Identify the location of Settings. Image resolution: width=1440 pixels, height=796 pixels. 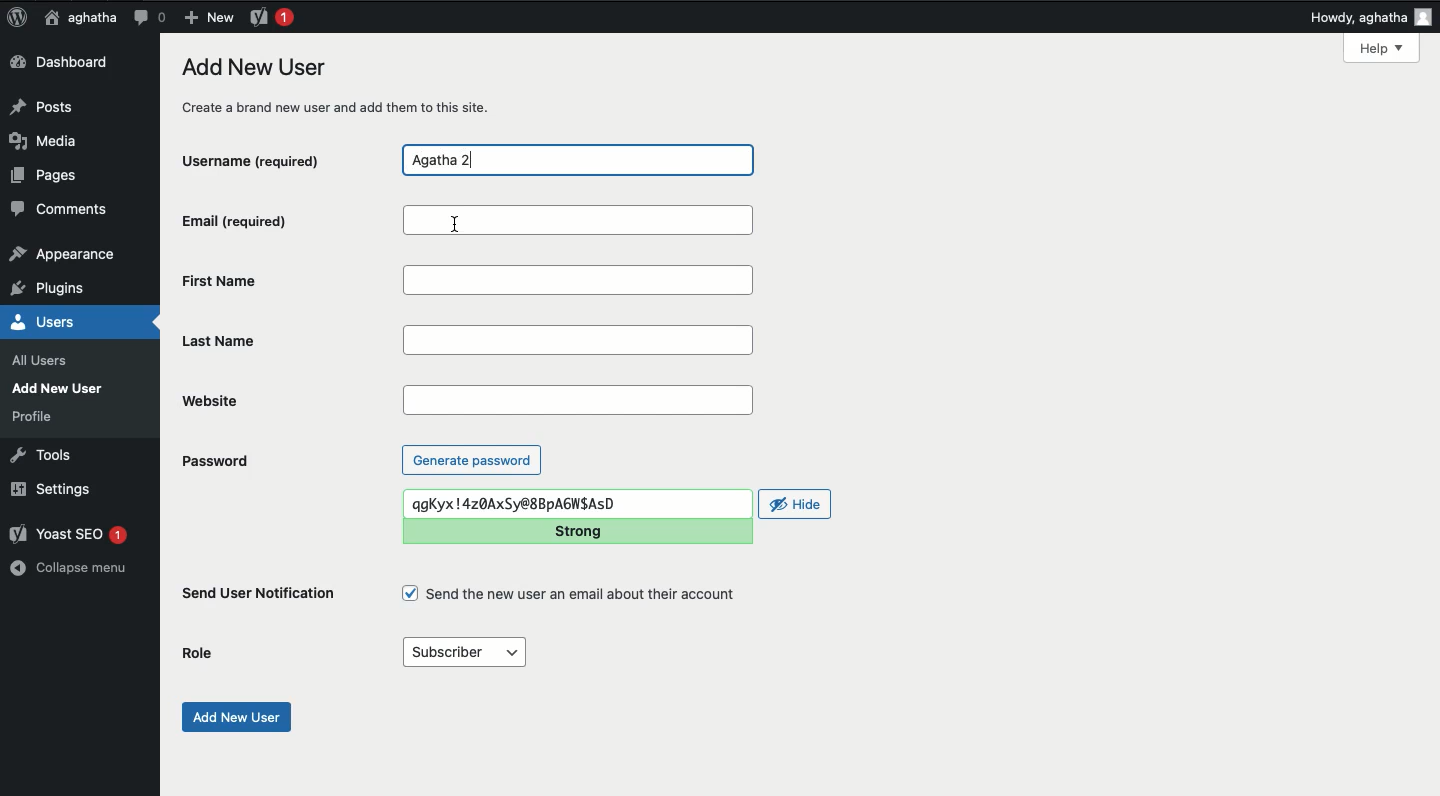
(49, 488).